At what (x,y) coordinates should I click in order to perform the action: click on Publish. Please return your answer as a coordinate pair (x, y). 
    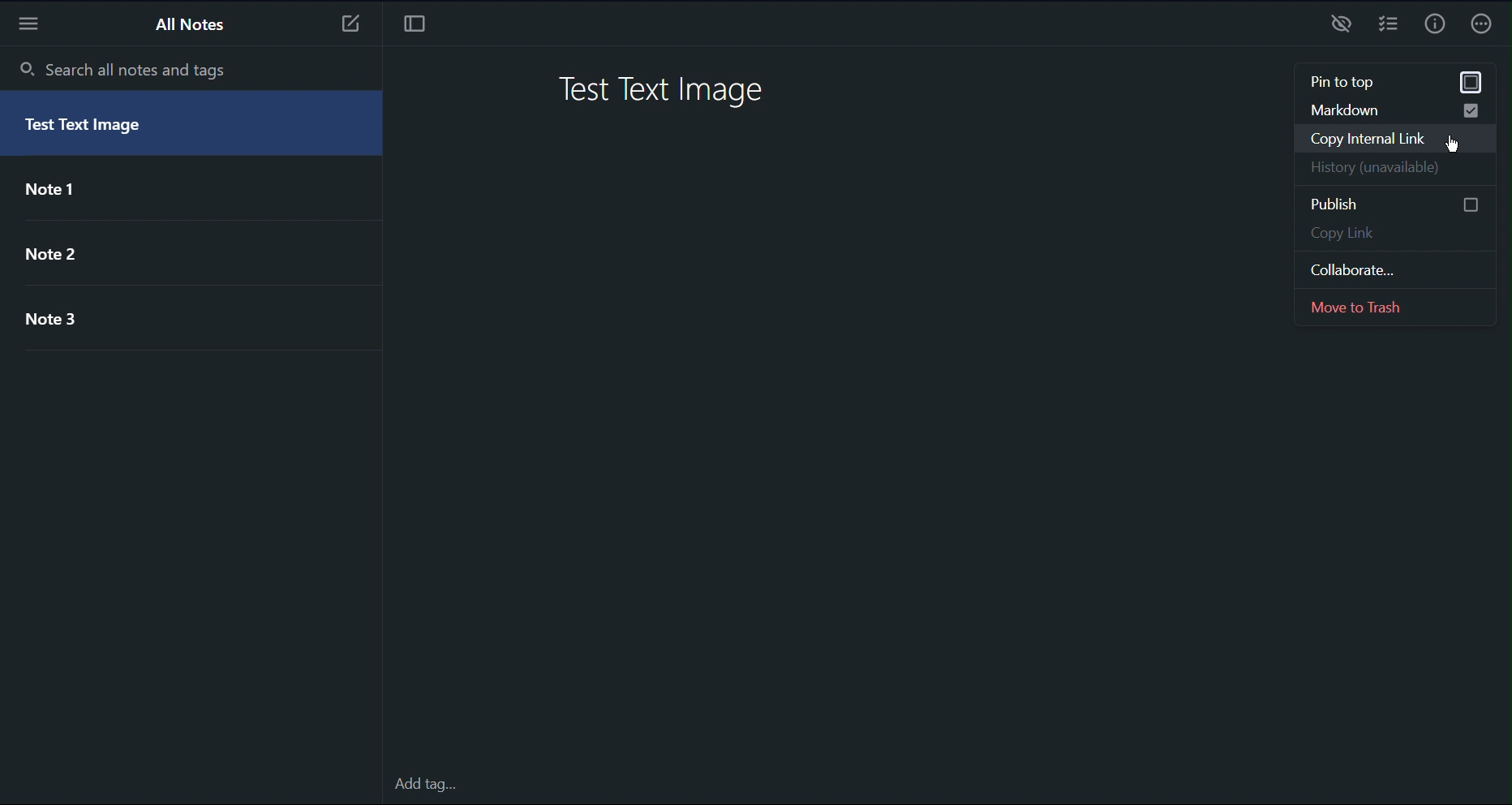
    Looking at the image, I should click on (1390, 202).